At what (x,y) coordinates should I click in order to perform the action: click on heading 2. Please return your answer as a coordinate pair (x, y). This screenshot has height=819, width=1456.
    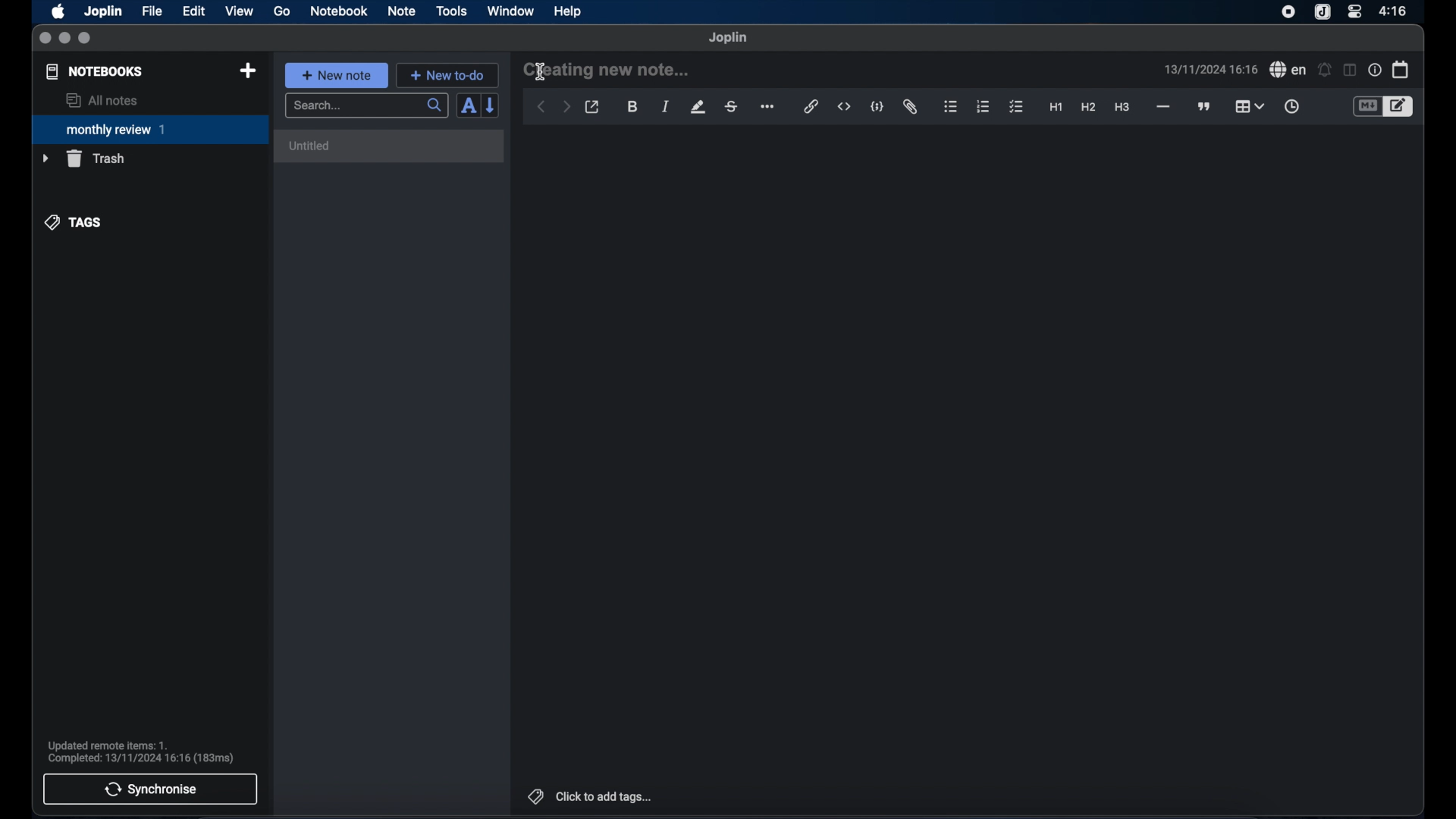
    Looking at the image, I should click on (1089, 108).